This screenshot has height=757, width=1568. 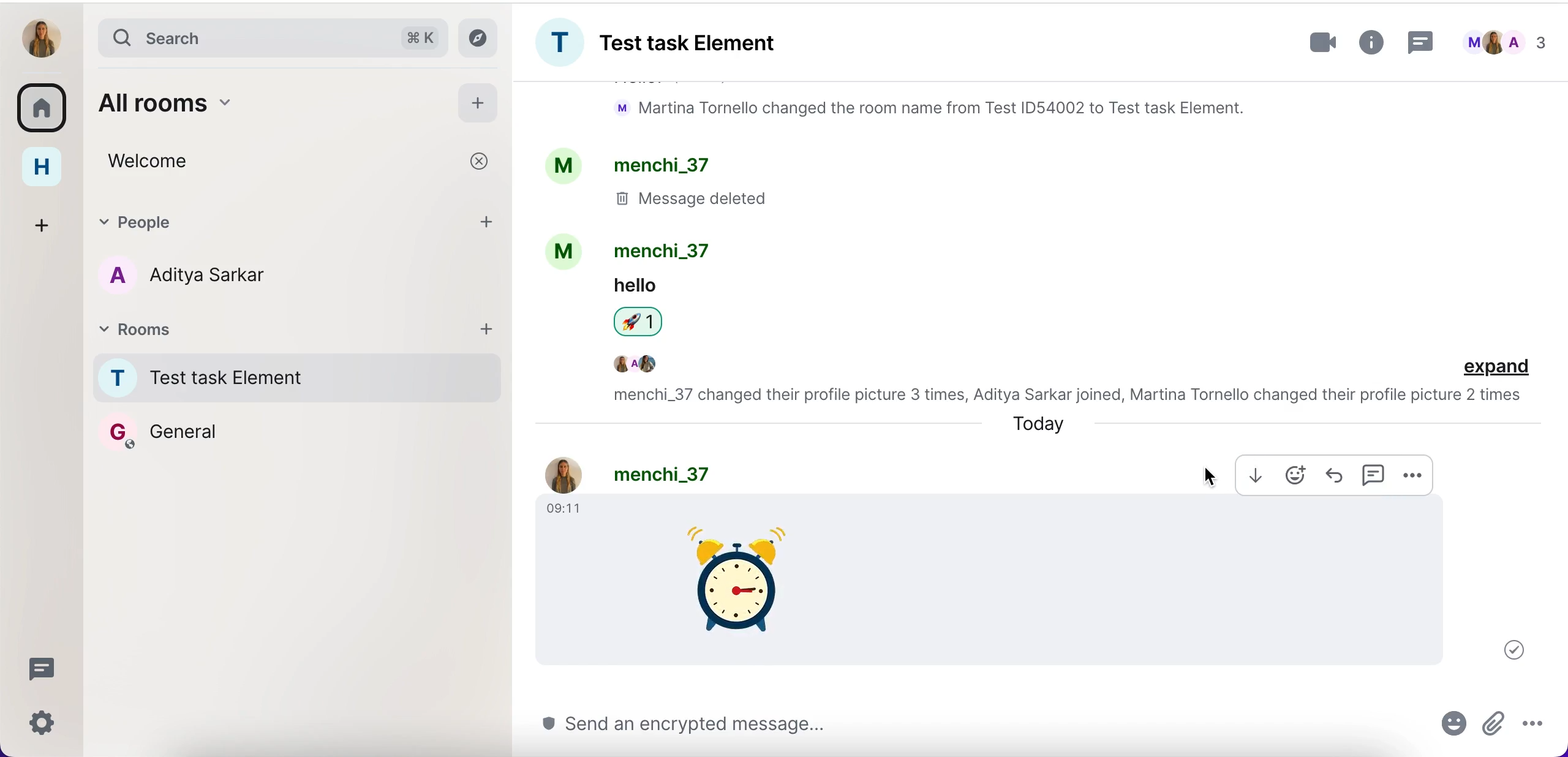 What do you see at coordinates (1032, 247) in the screenshot?
I see `chat` at bounding box center [1032, 247].